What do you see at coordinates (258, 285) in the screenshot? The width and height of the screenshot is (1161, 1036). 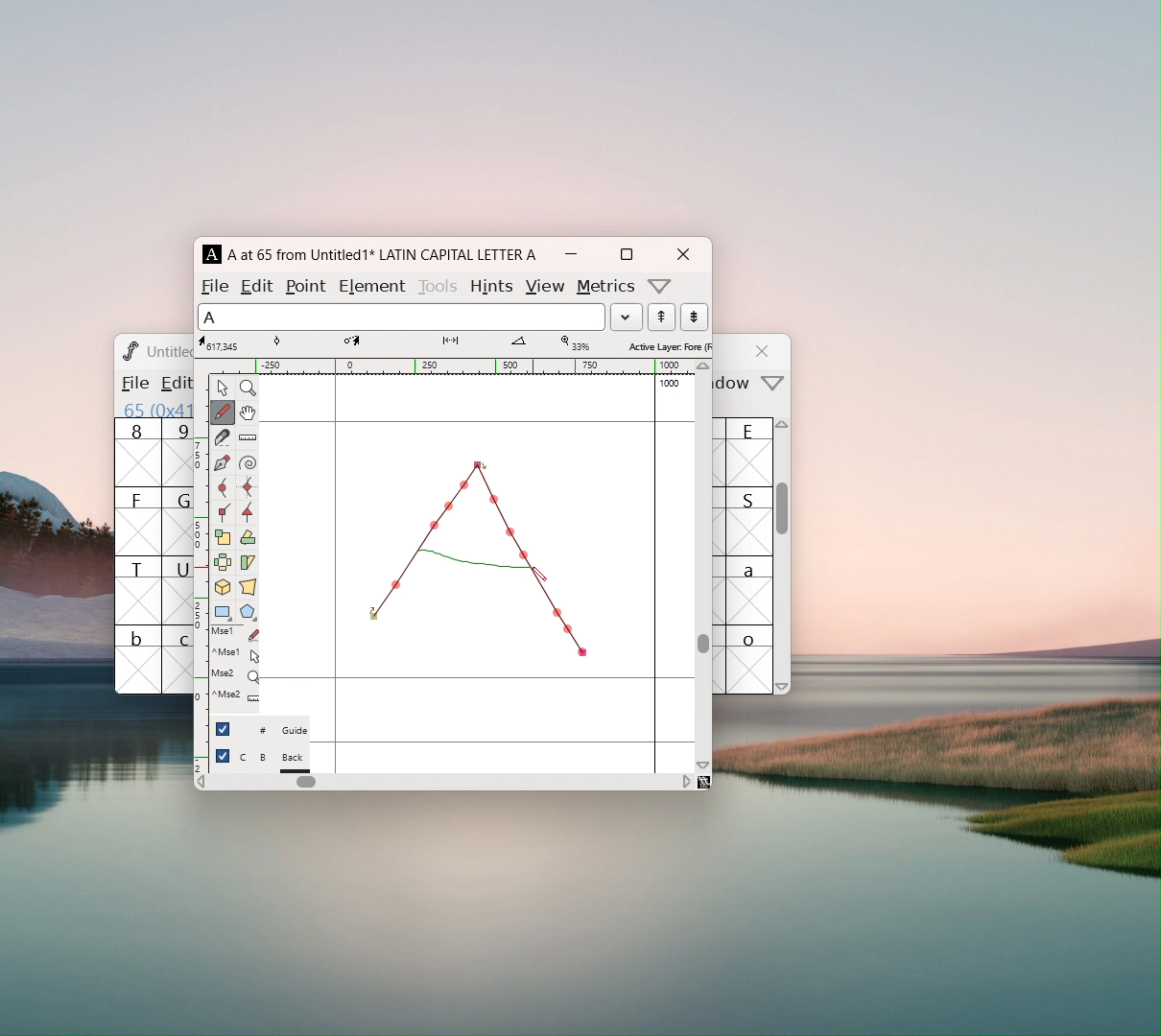 I see `edit` at bounding box center [258, 285].